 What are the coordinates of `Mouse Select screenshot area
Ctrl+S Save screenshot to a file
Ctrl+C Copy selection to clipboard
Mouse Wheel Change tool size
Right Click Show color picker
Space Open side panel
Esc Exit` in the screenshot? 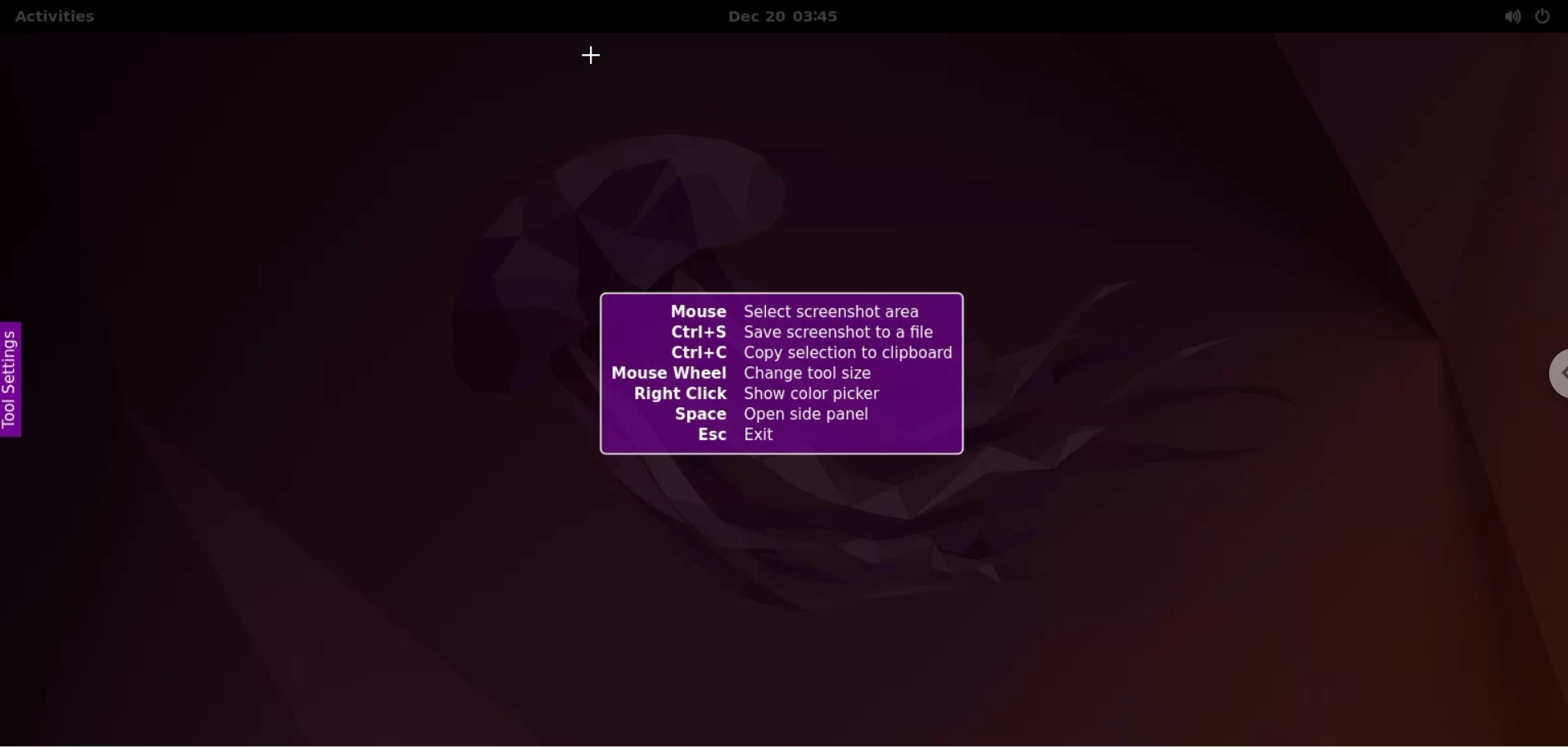 It's located at (797, 441).